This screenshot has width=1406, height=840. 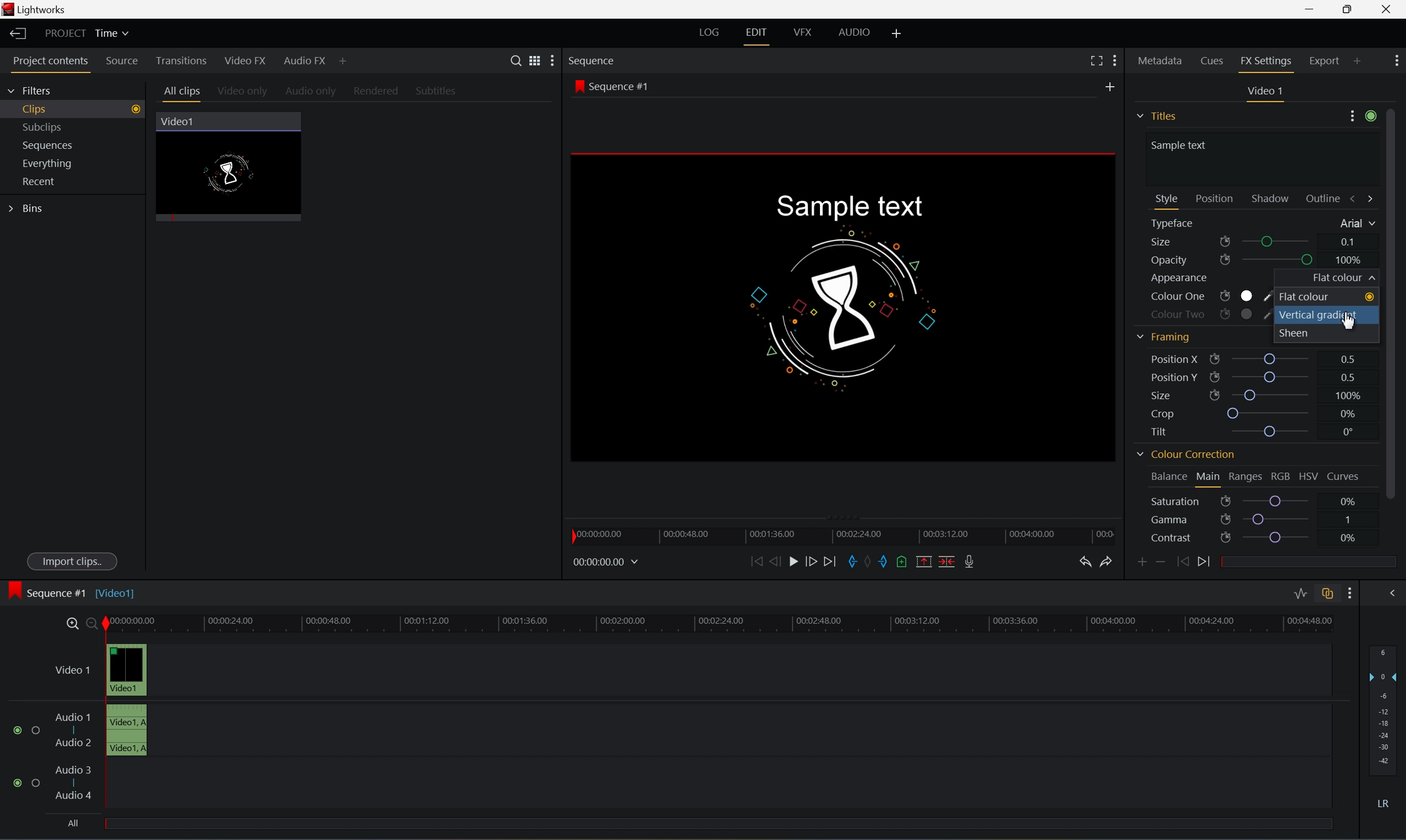 What do you see at coordinates (53, 164) in the screenshot?
I see `everything` at bounding box center [53, 164].